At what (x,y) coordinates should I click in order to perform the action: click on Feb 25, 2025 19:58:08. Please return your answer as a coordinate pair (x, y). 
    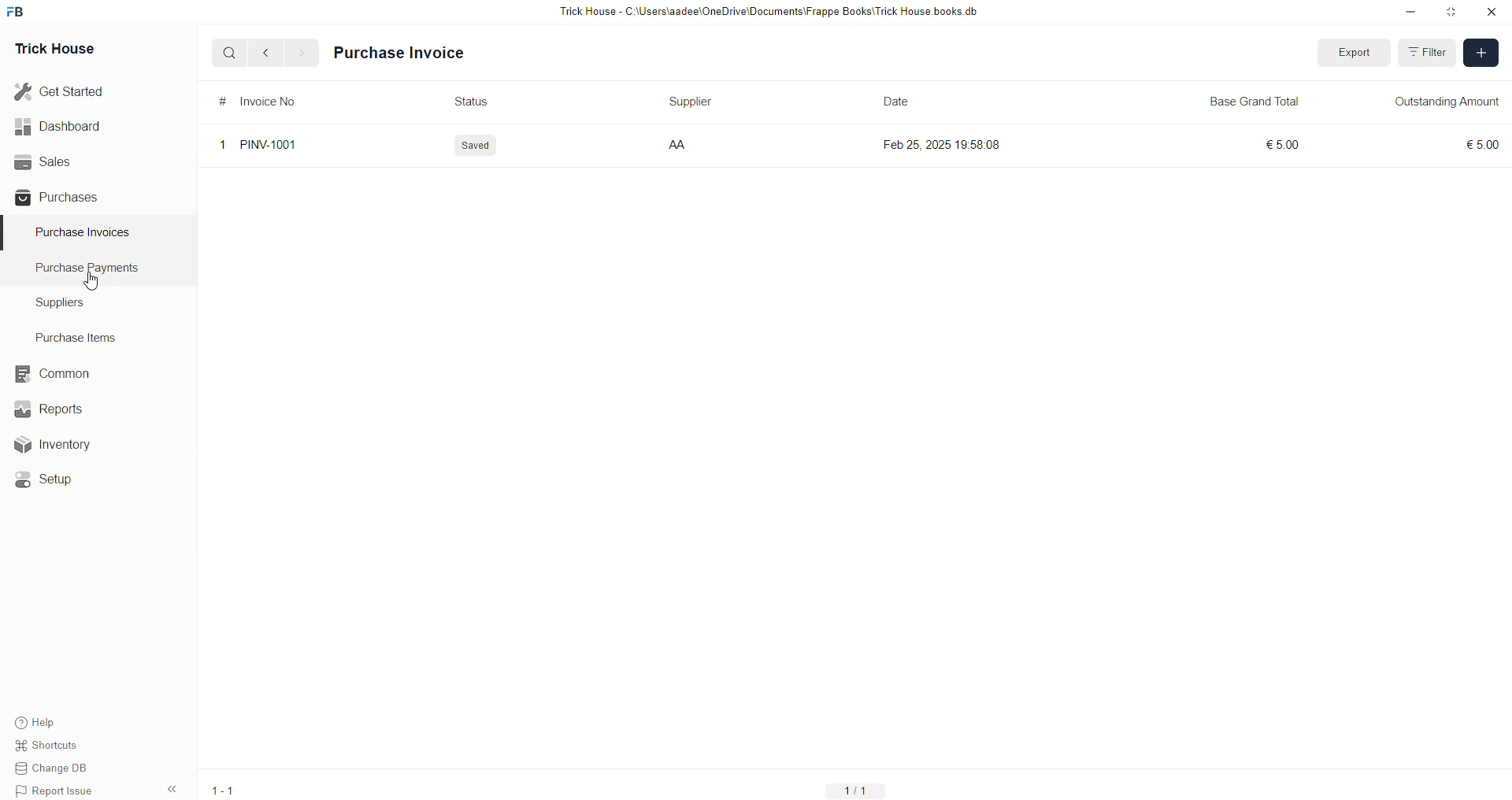
    Looking at the image, I should click on (940, 145).